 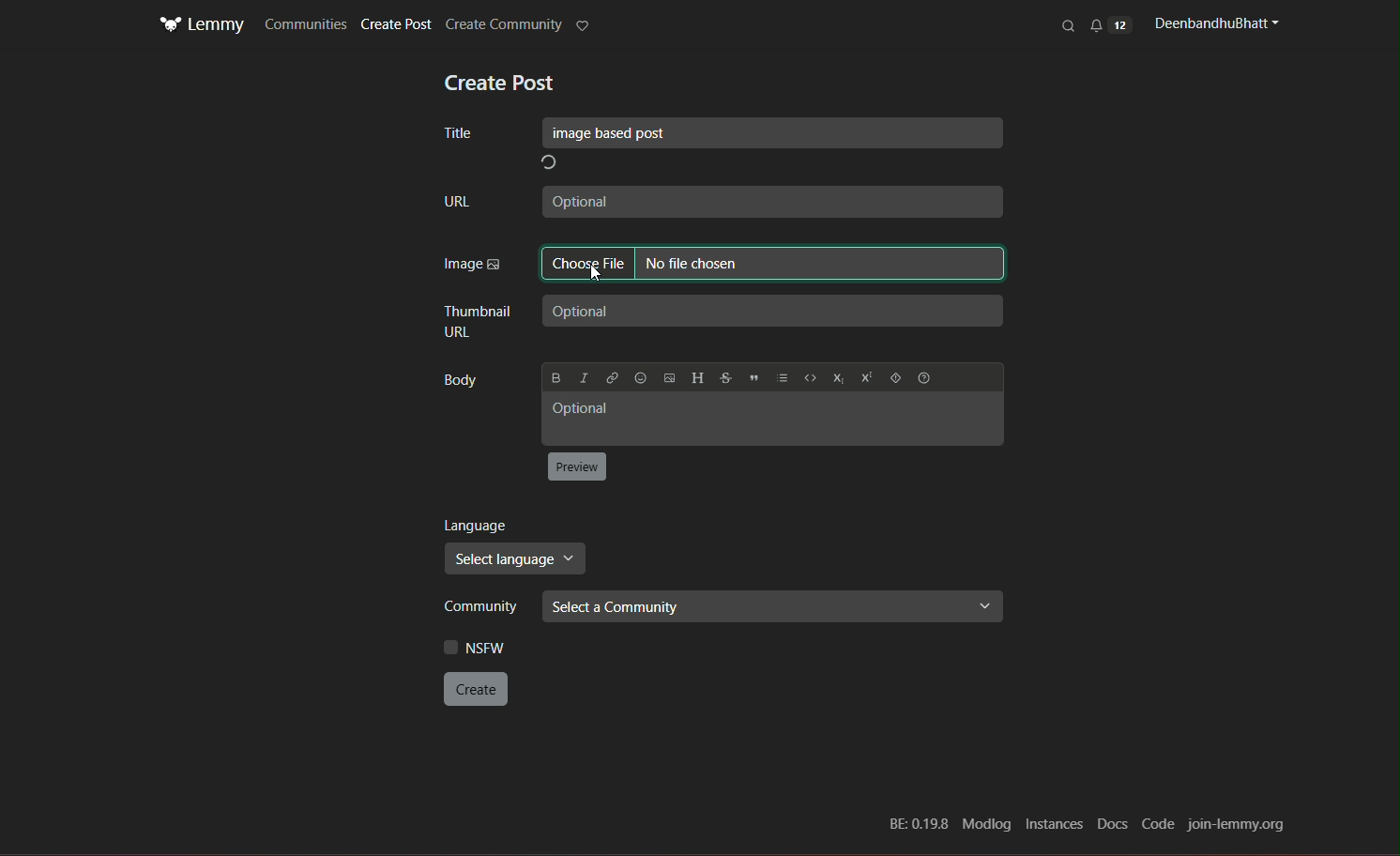 I want to click on community, so click(x=483, y=605).